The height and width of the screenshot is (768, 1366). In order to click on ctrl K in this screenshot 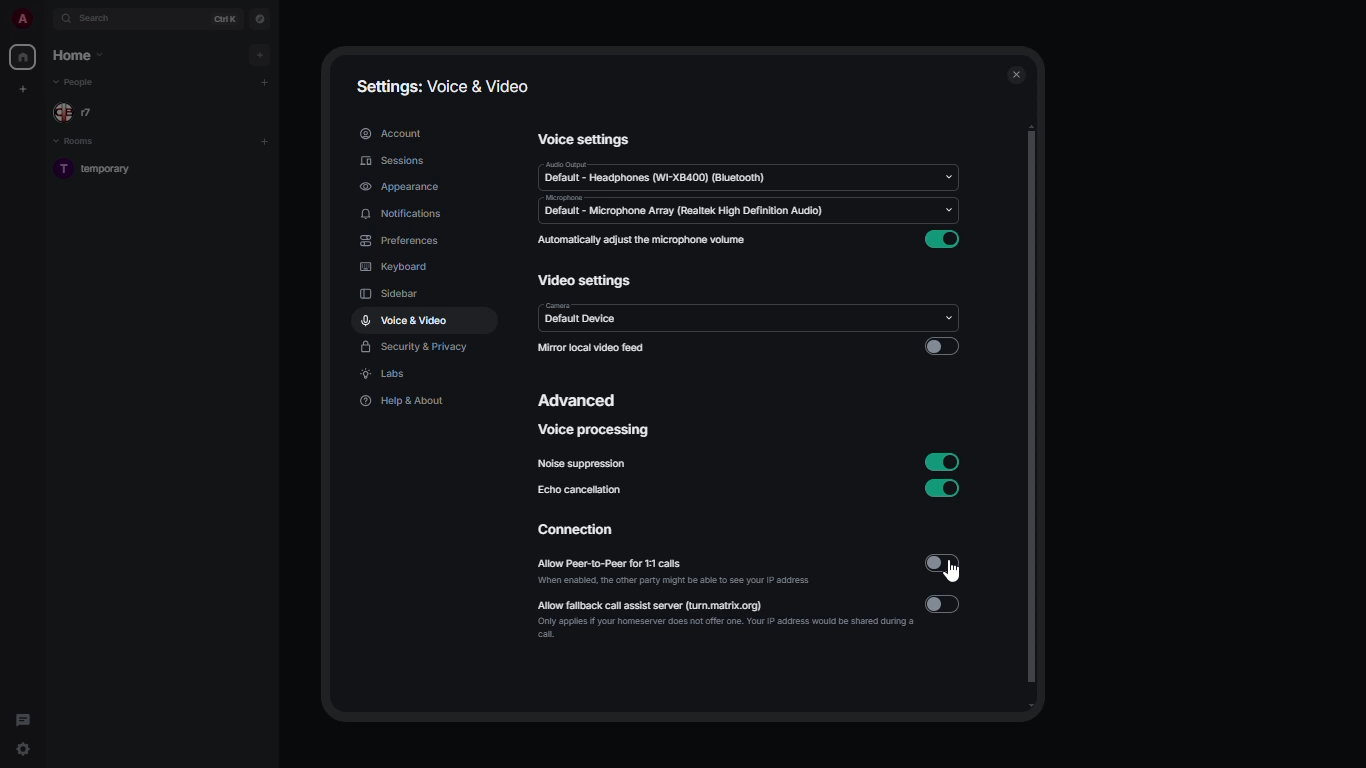, I will do `click(226, 18)`.